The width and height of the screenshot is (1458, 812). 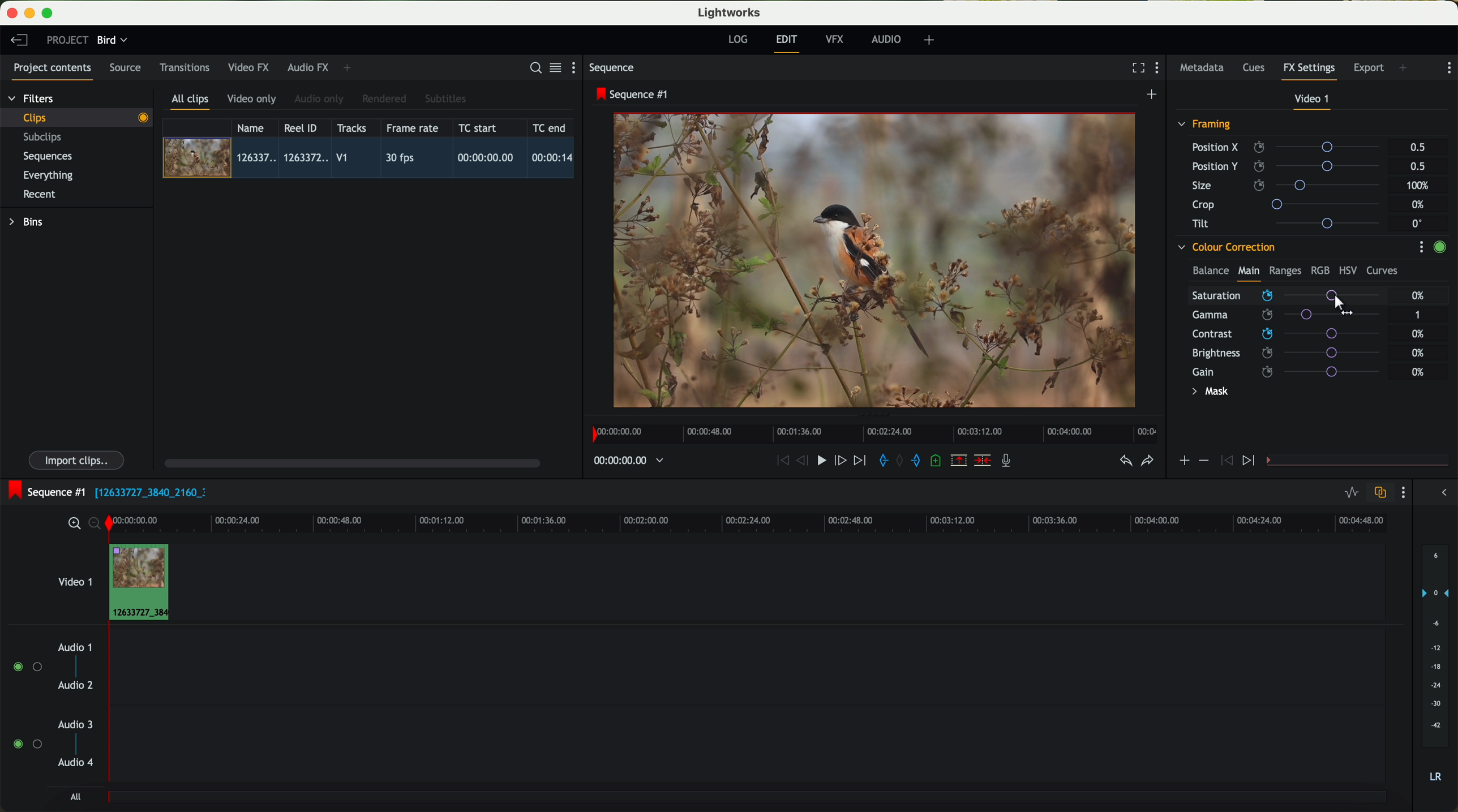 I want to click on timeline, so click(x=623, y=461).